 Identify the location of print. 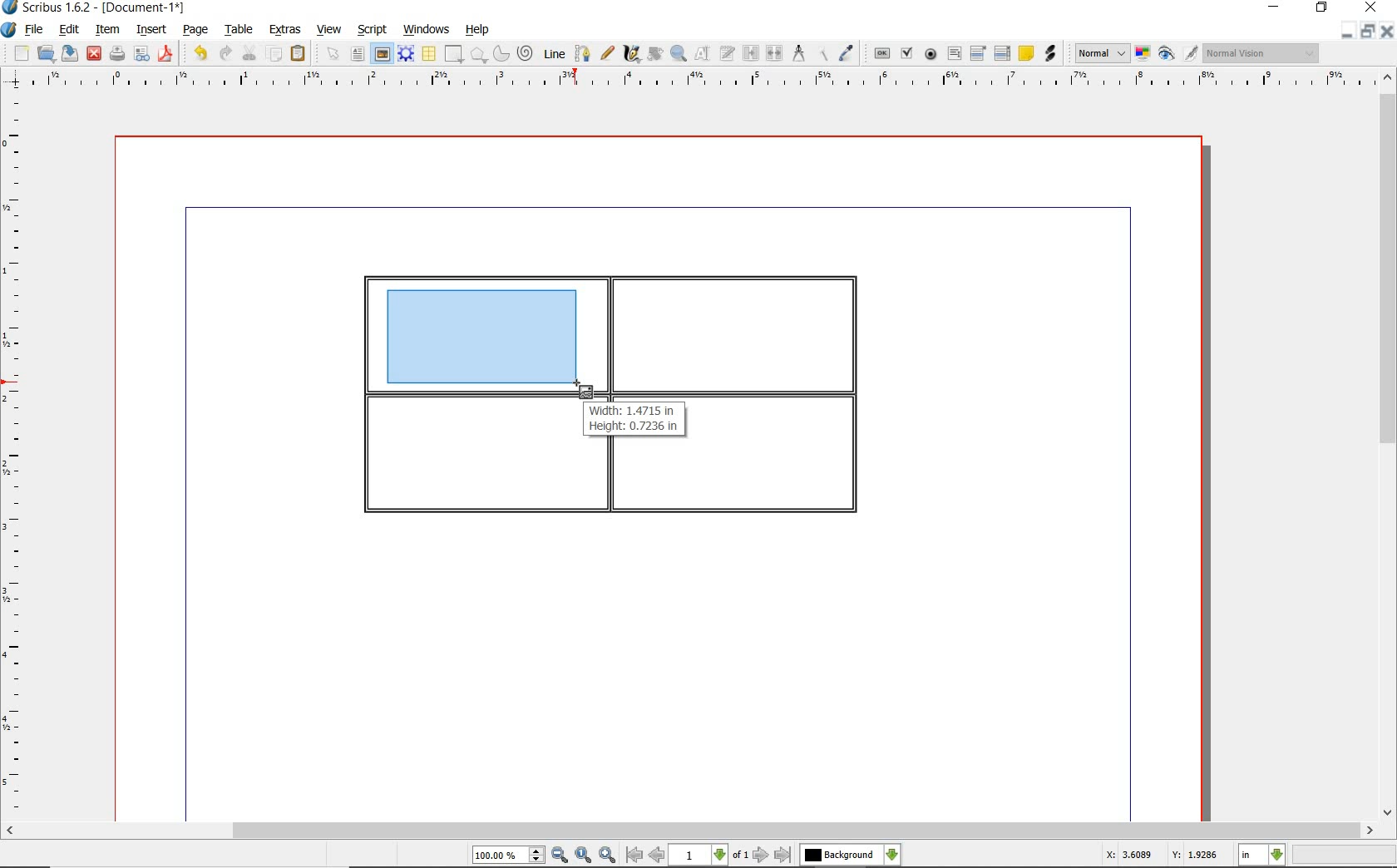
(116, 53).